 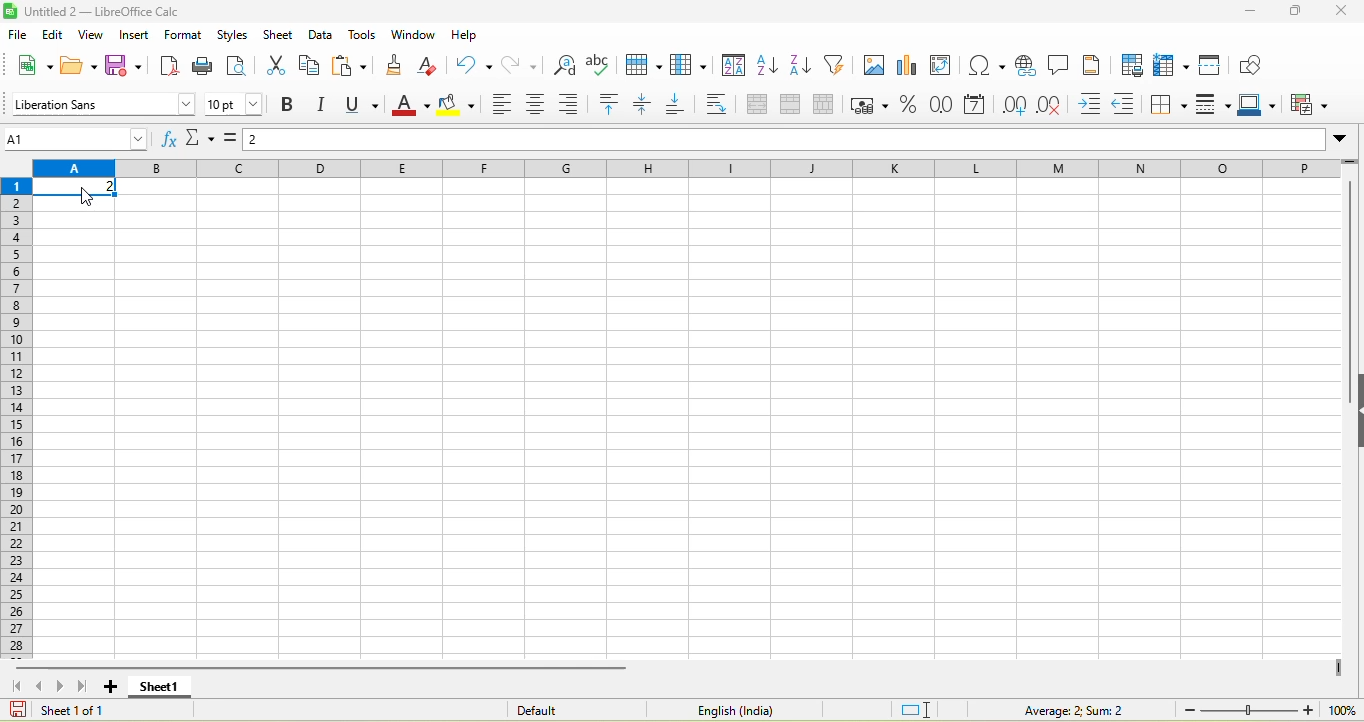 I want to click on find and replace, so click(x=567, y=65).